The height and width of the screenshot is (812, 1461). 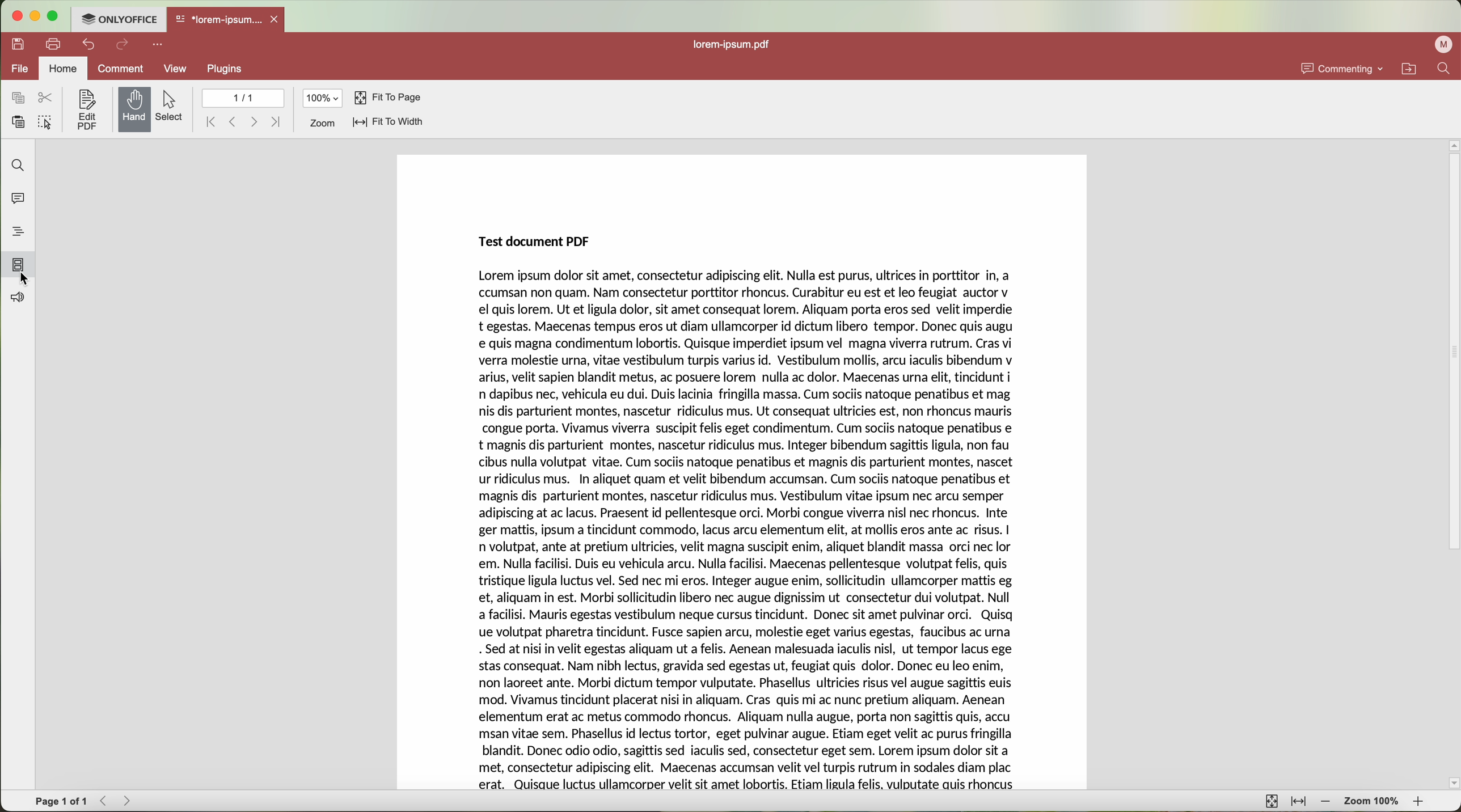 I want to click on customize quick access toolbar, so click(x=157, y=45).